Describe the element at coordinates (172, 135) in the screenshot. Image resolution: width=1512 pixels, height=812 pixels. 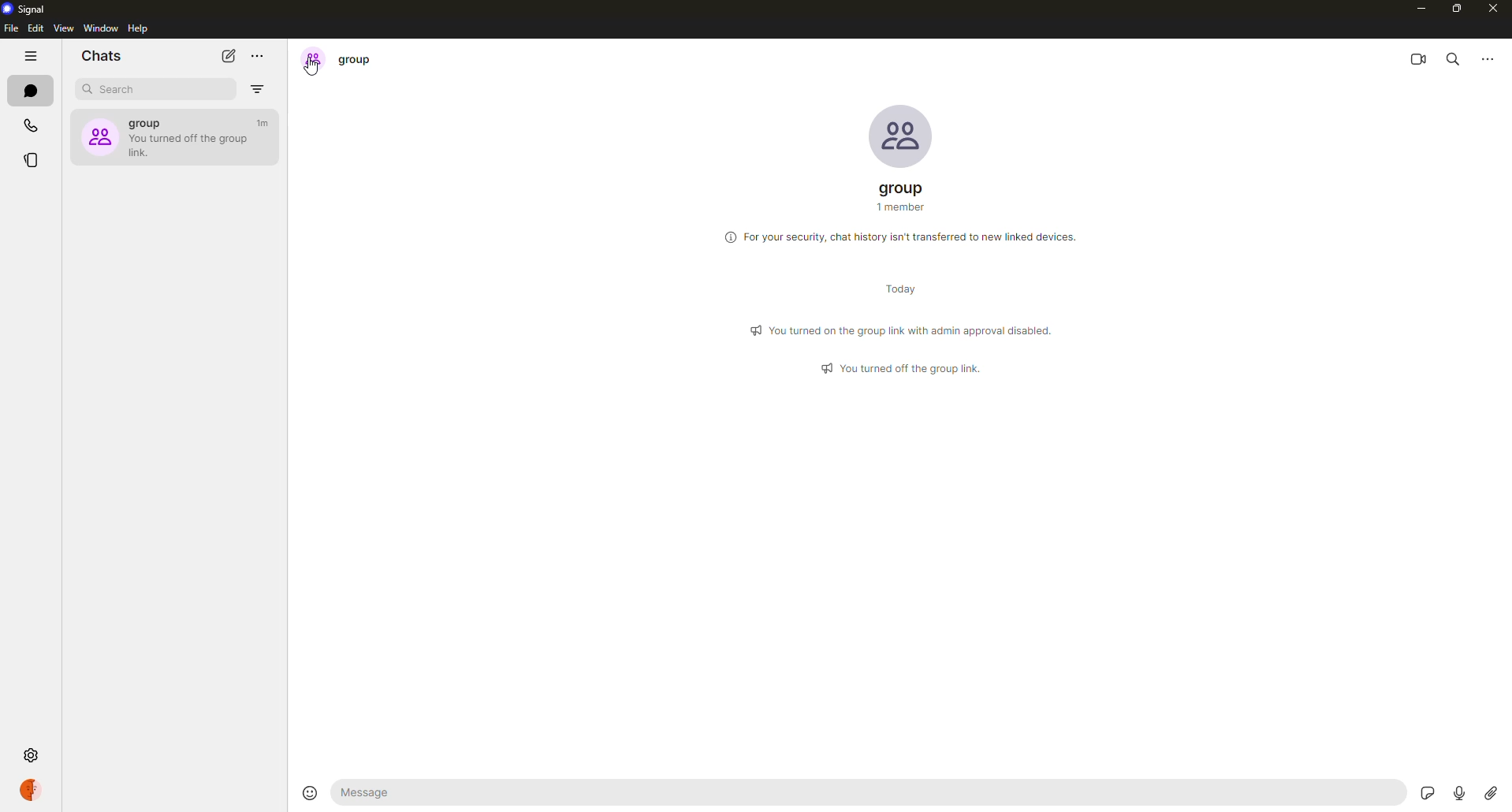
I see `group` at that location.